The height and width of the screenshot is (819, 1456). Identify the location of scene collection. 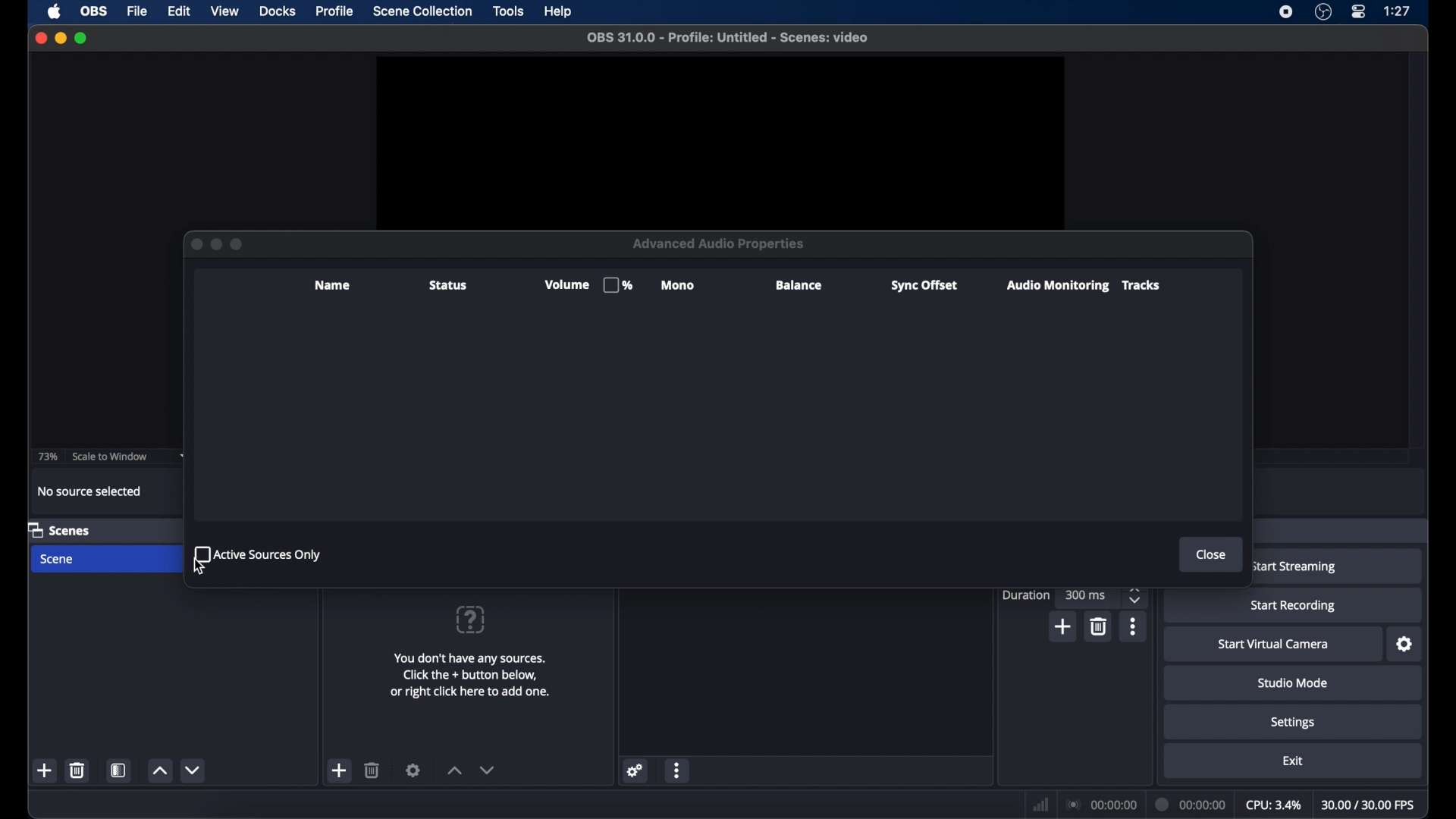
(423, 11).